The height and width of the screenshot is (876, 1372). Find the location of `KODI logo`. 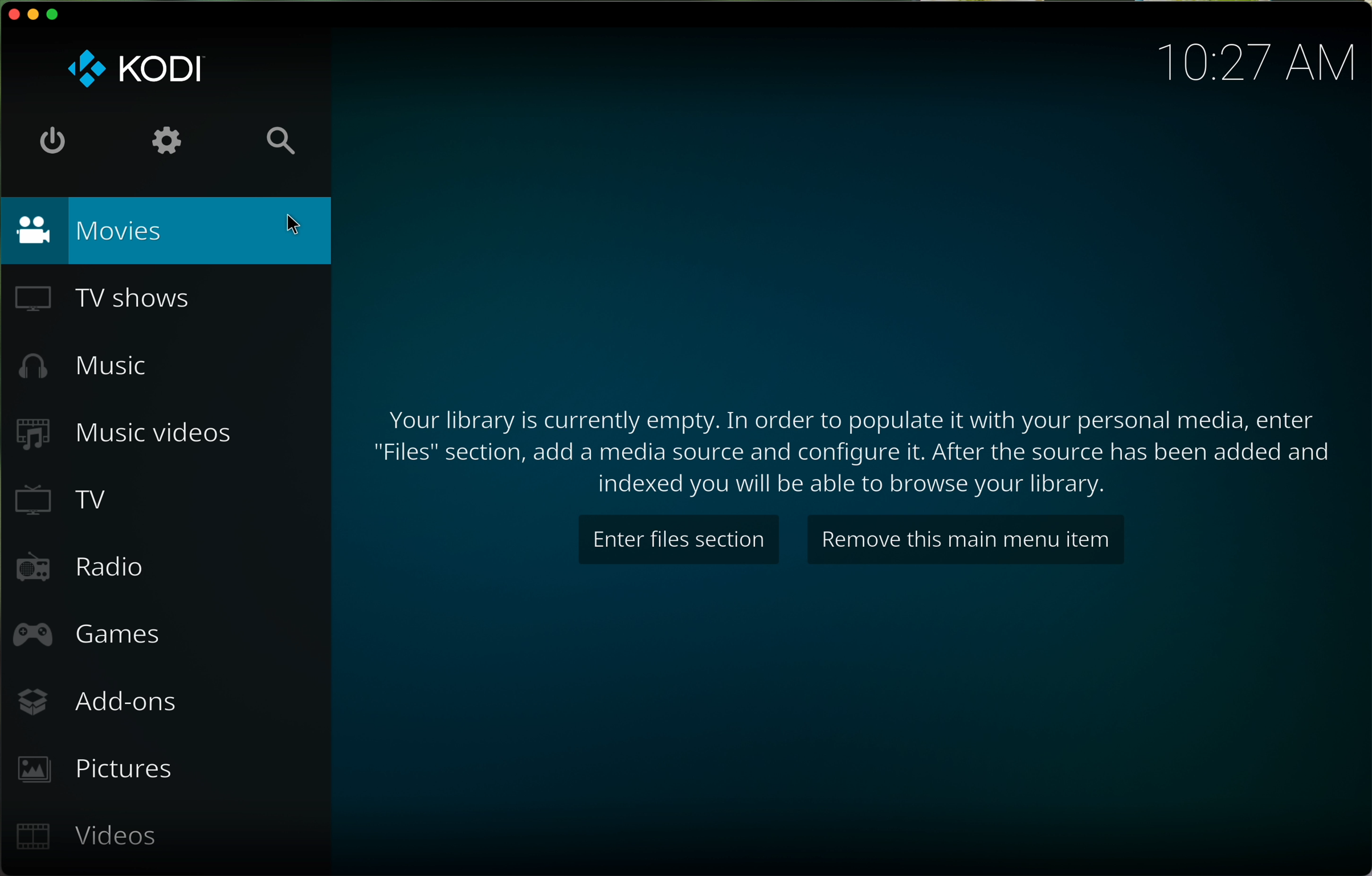

KODI logo is located at coordinates (134, 68).